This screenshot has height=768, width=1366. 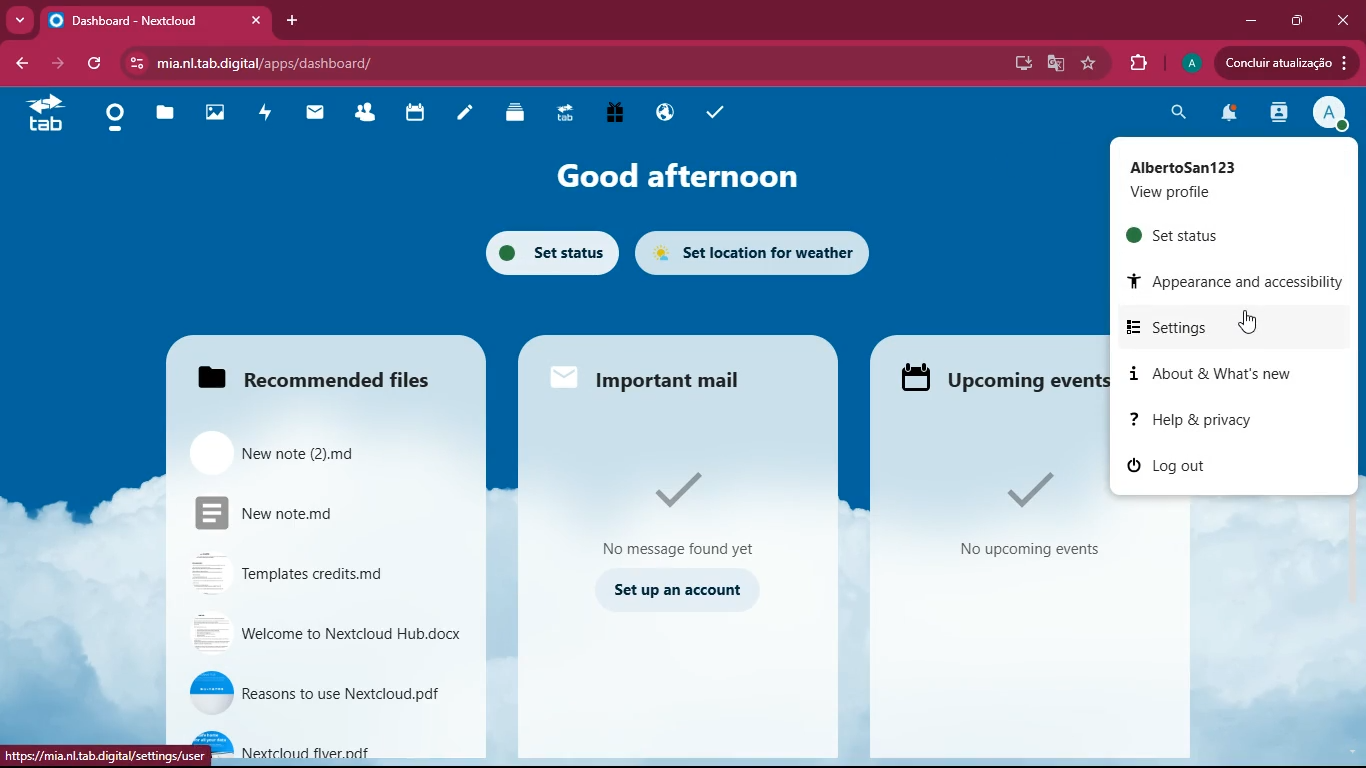 I want to click on mail, so click(x=310, y=114).